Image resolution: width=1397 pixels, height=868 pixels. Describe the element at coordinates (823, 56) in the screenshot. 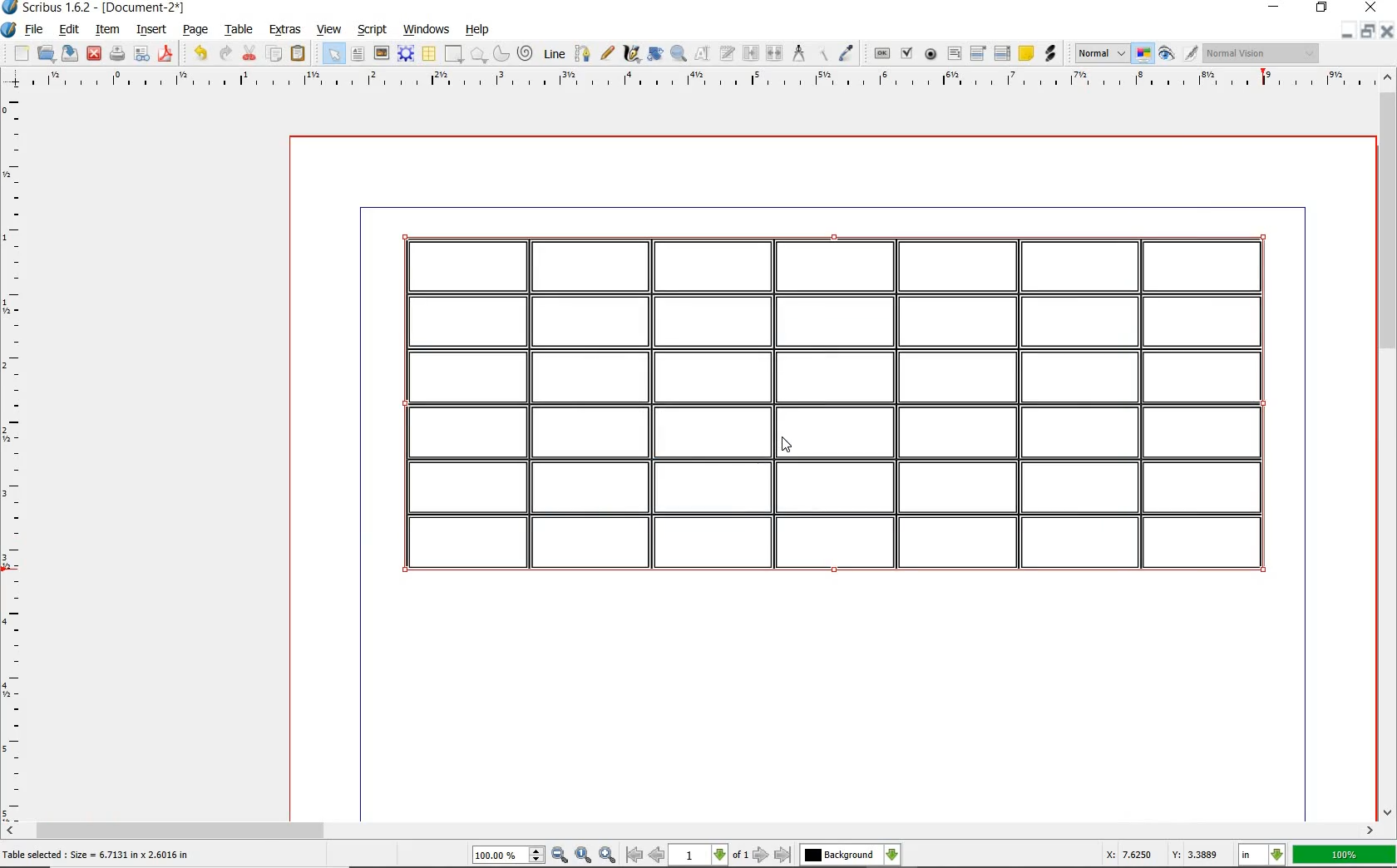

I see `copy item properties` at that location.